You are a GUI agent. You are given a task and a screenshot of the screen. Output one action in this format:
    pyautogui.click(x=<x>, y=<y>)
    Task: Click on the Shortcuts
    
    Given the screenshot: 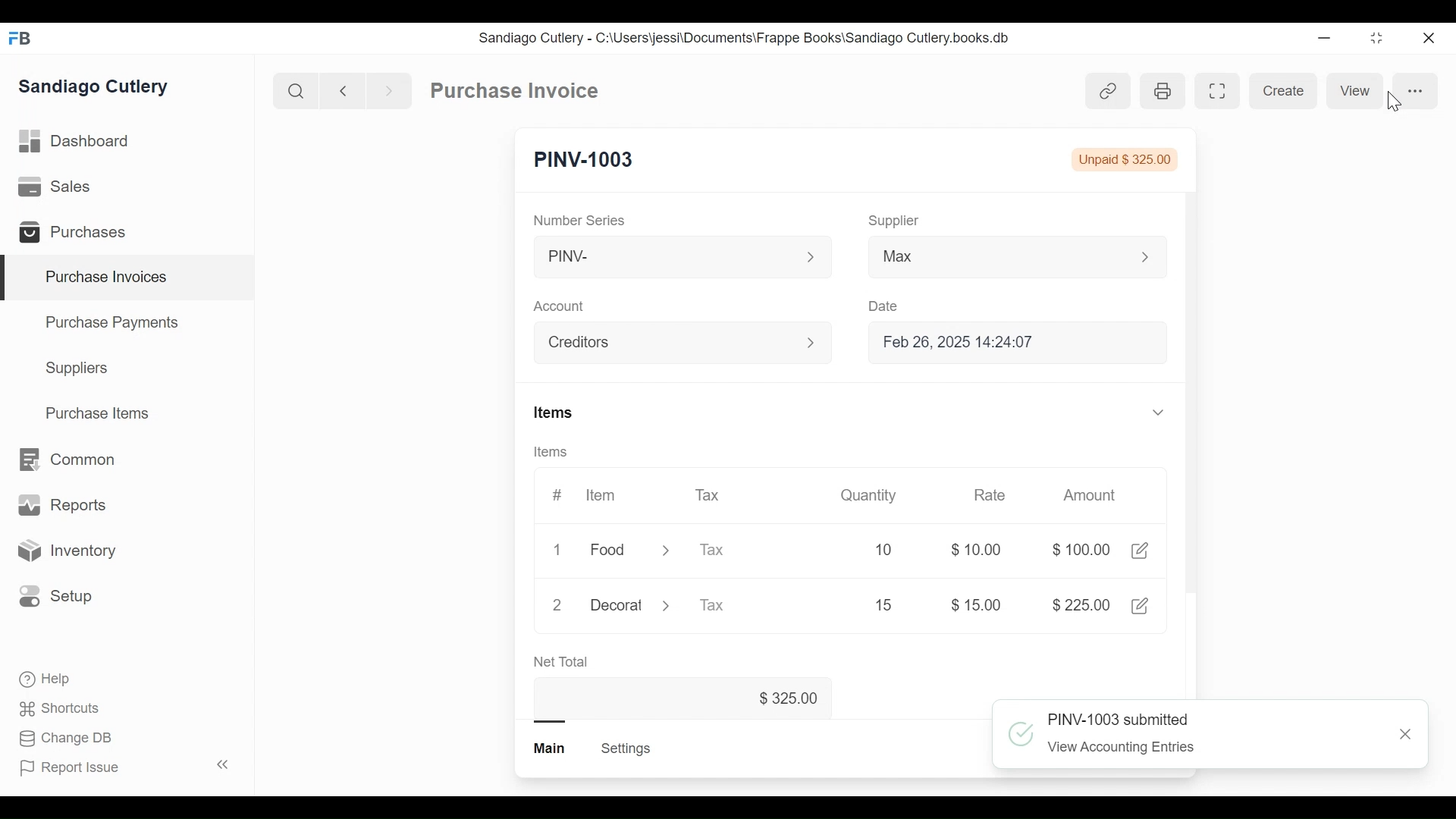 What is the action you would take?
    pyautogui.click(x=61, y=708)
    